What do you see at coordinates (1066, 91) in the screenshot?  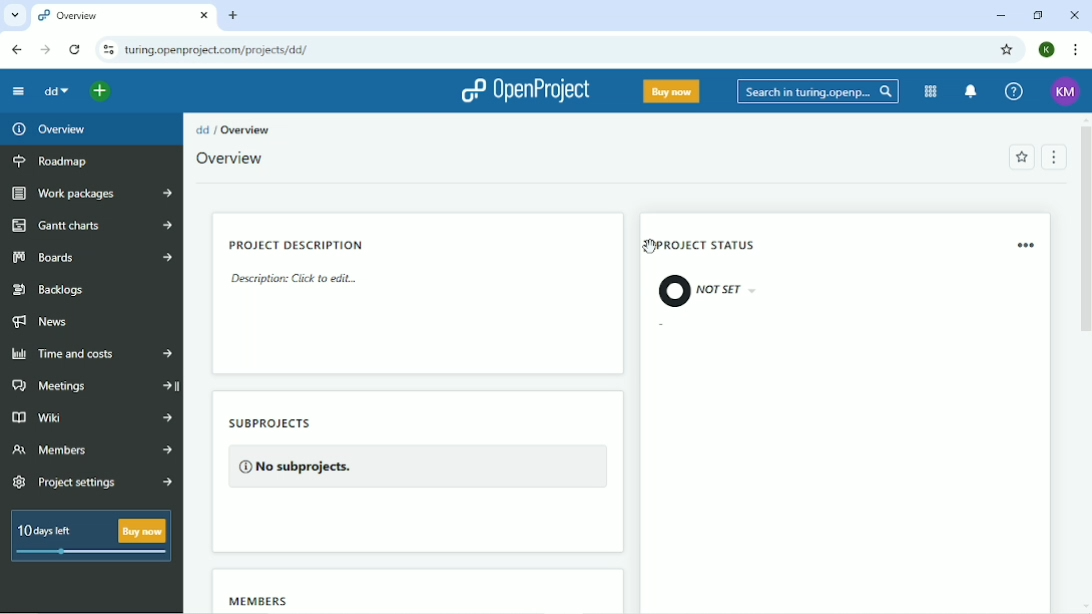 I see `Account` at bounding box center [1066, 91].